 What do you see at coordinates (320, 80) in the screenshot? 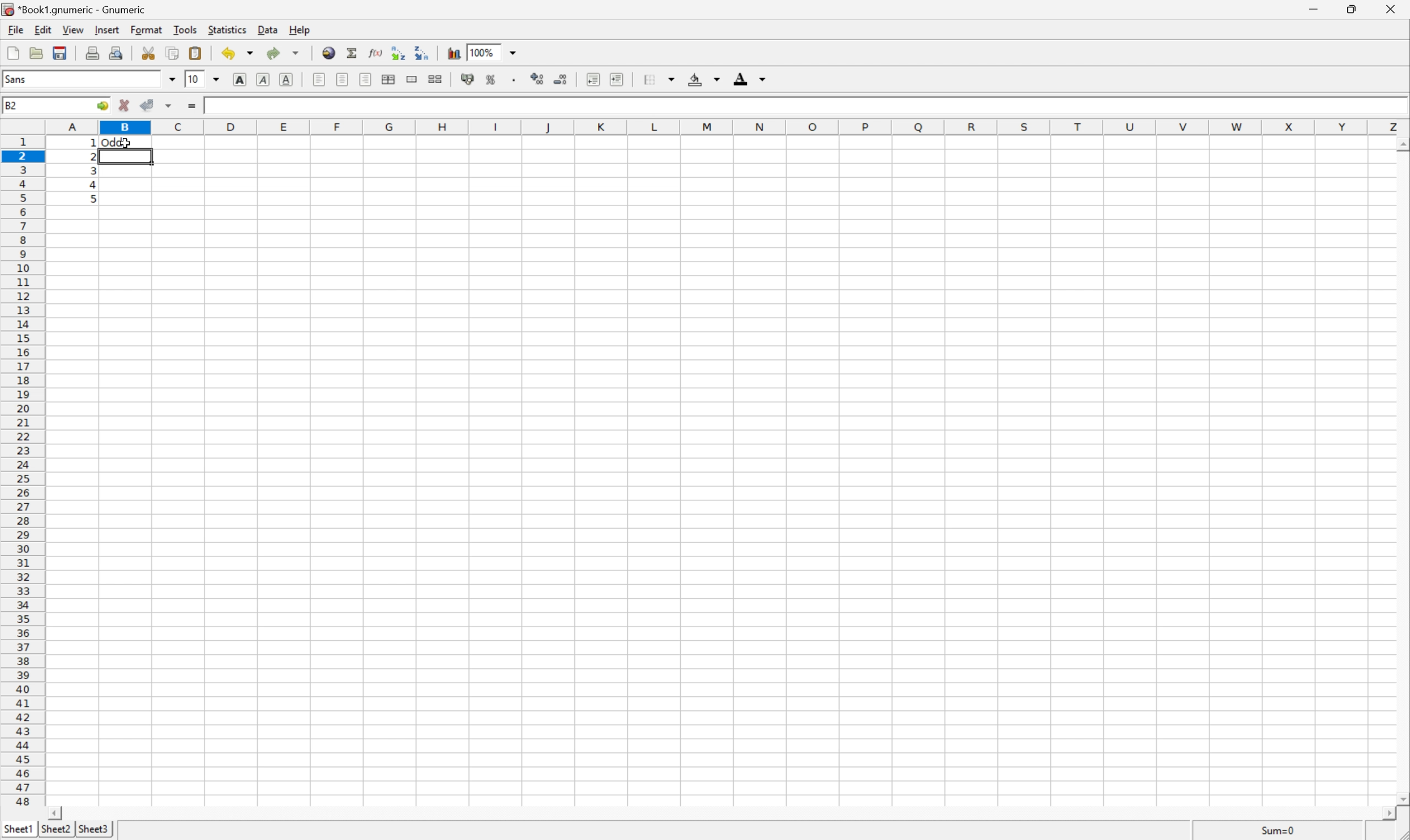
I see `Align Left` at bounding box center [320, 80].